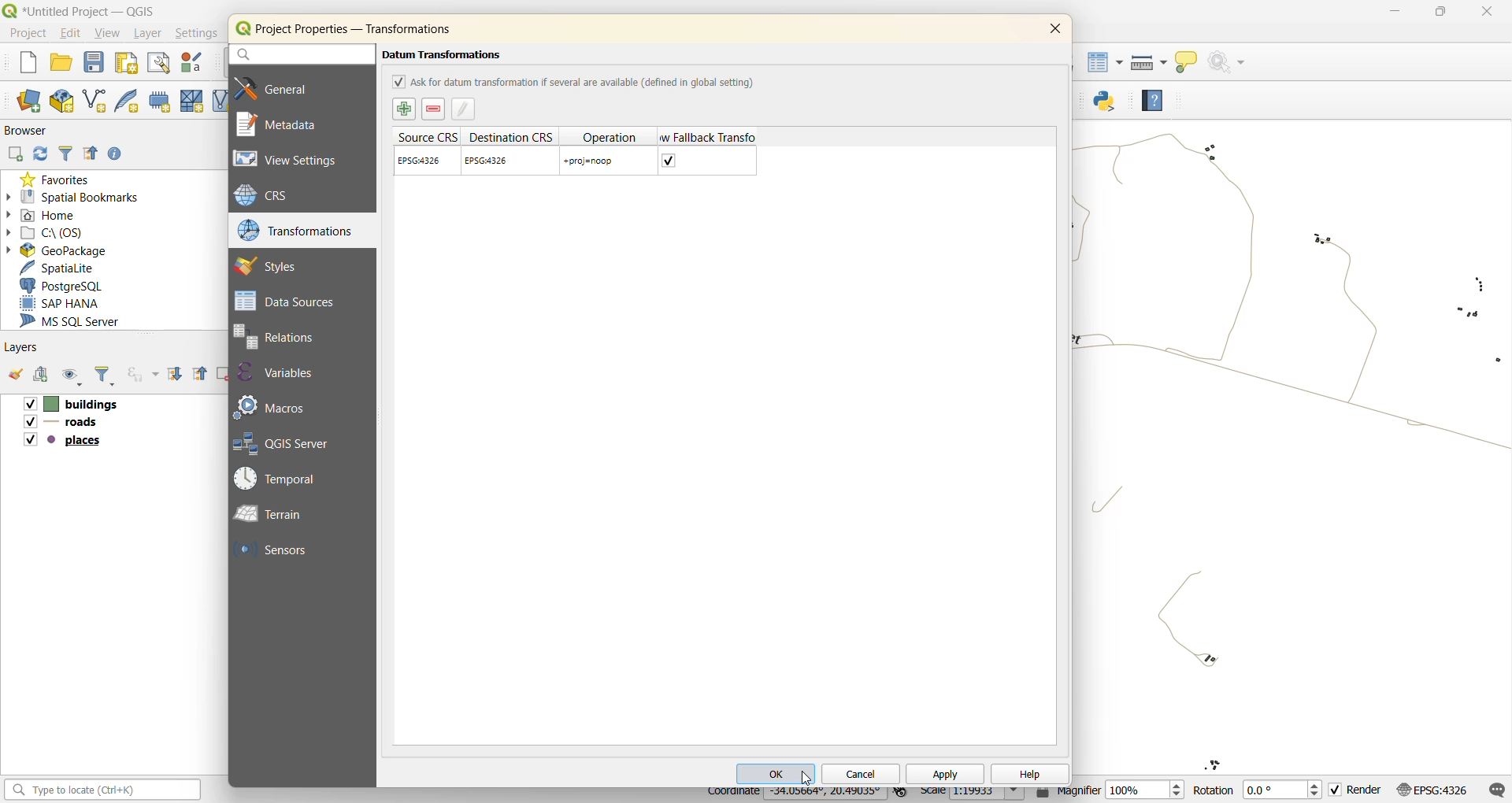 This screenshot has height=803, width=1512. I want to click on buildings, so click(70, 404).